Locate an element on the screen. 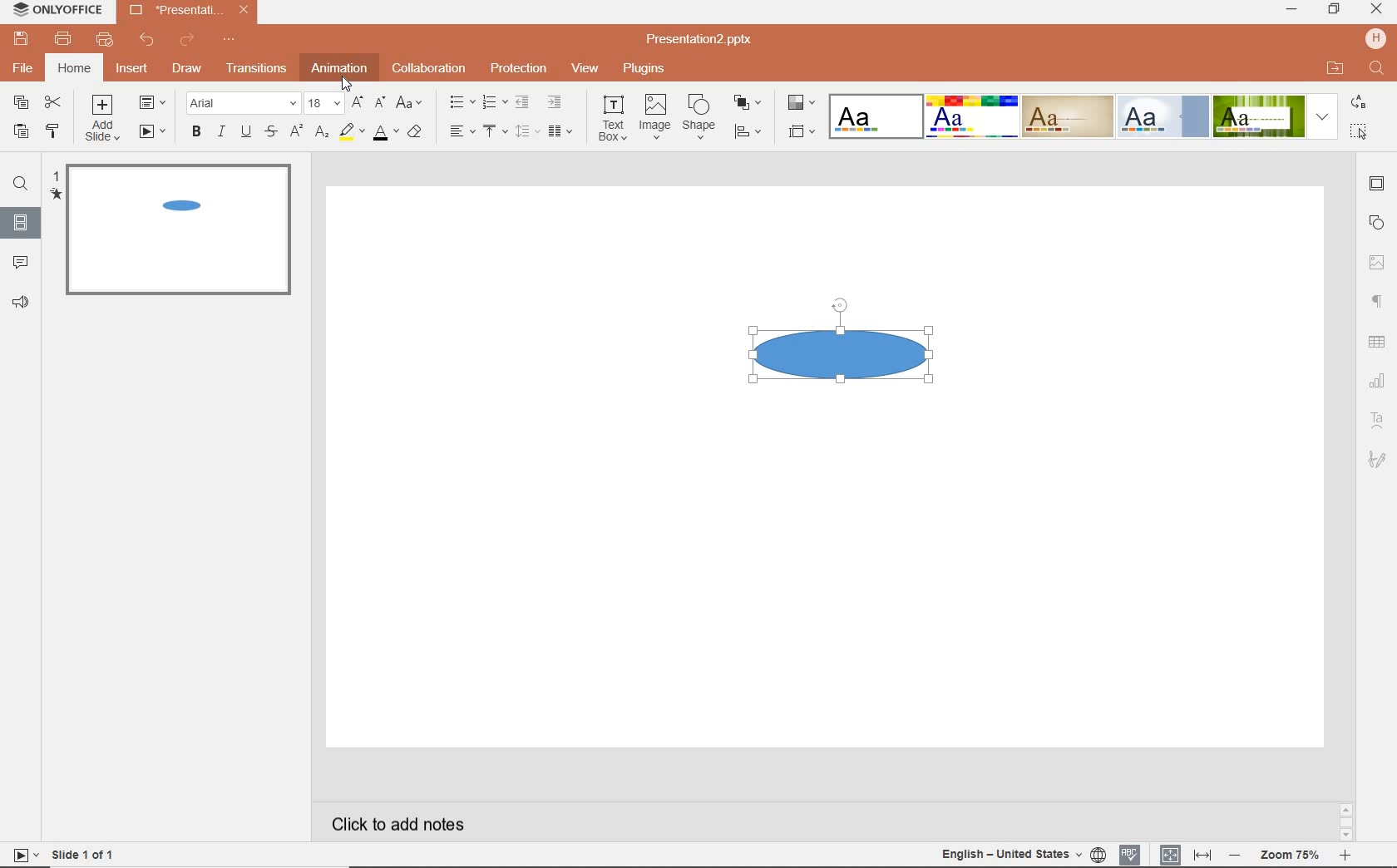 The width and height of the screenshot is (1397, 868). animation is located at coordinates (341, 67).